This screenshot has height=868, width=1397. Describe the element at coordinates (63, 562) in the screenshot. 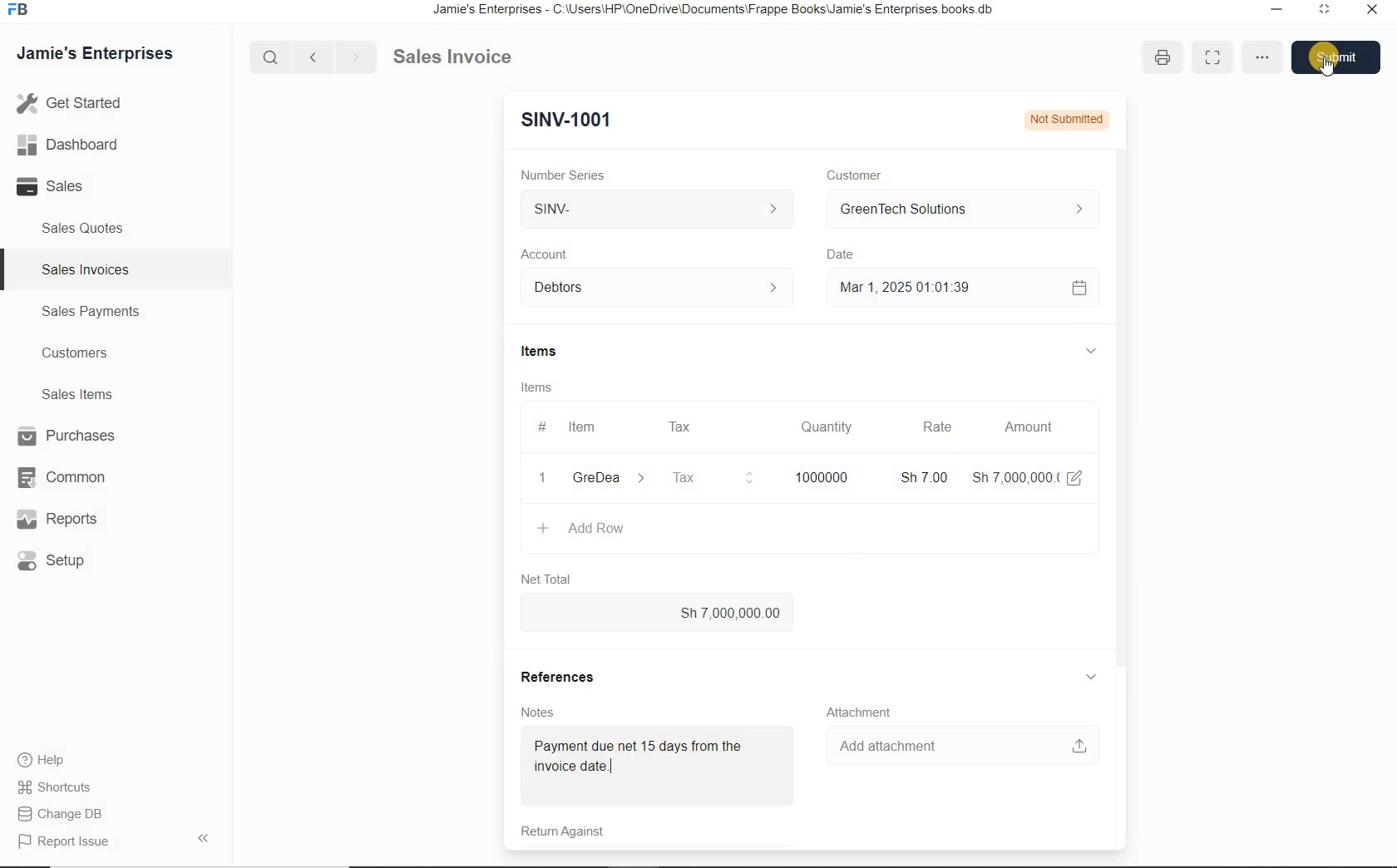

I see `Setup` at that location.